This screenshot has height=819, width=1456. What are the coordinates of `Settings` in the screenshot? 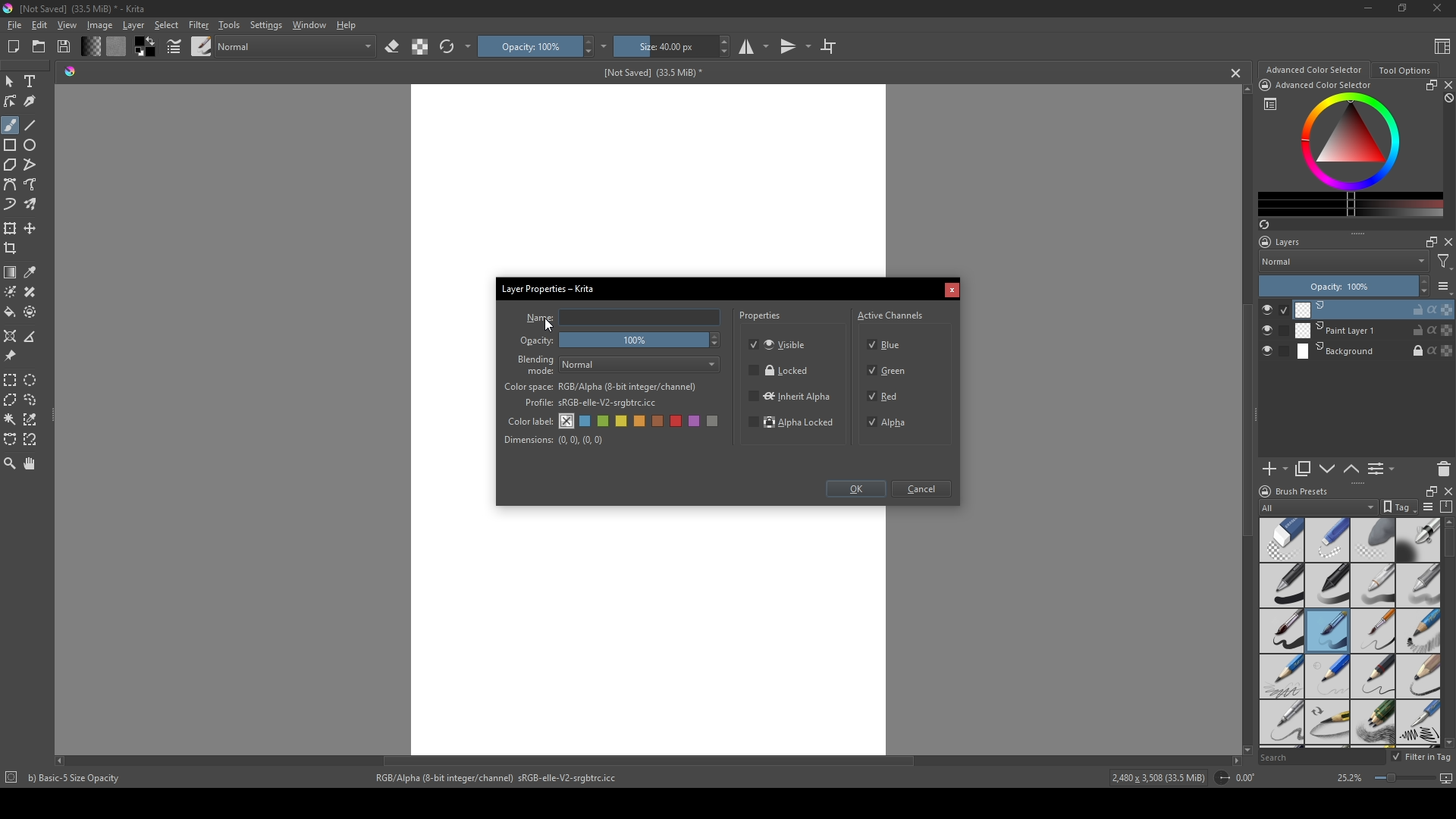 It's located at (265, 25).